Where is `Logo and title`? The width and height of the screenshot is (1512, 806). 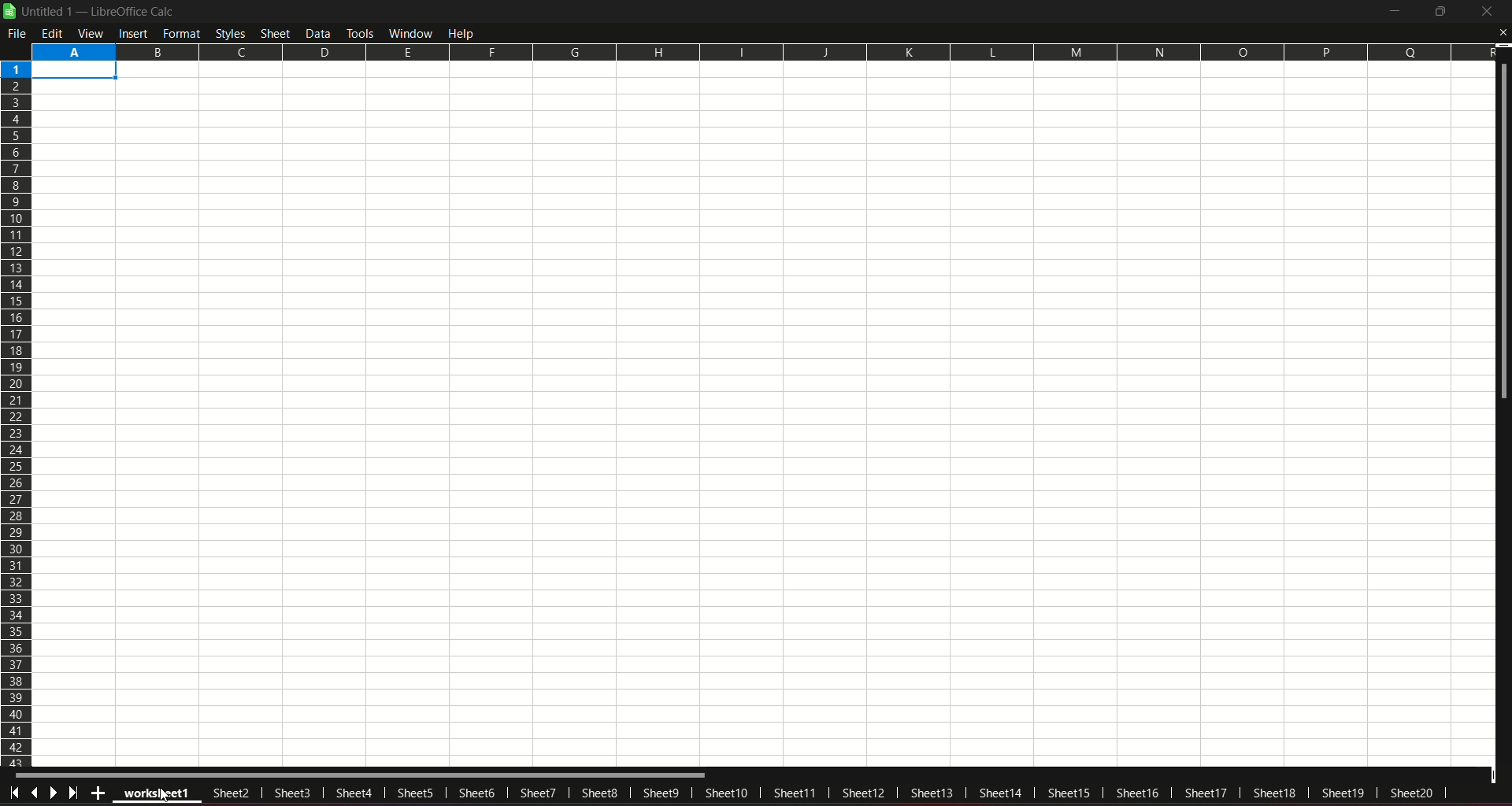
Logo and title is located at coordinates (90, 11).